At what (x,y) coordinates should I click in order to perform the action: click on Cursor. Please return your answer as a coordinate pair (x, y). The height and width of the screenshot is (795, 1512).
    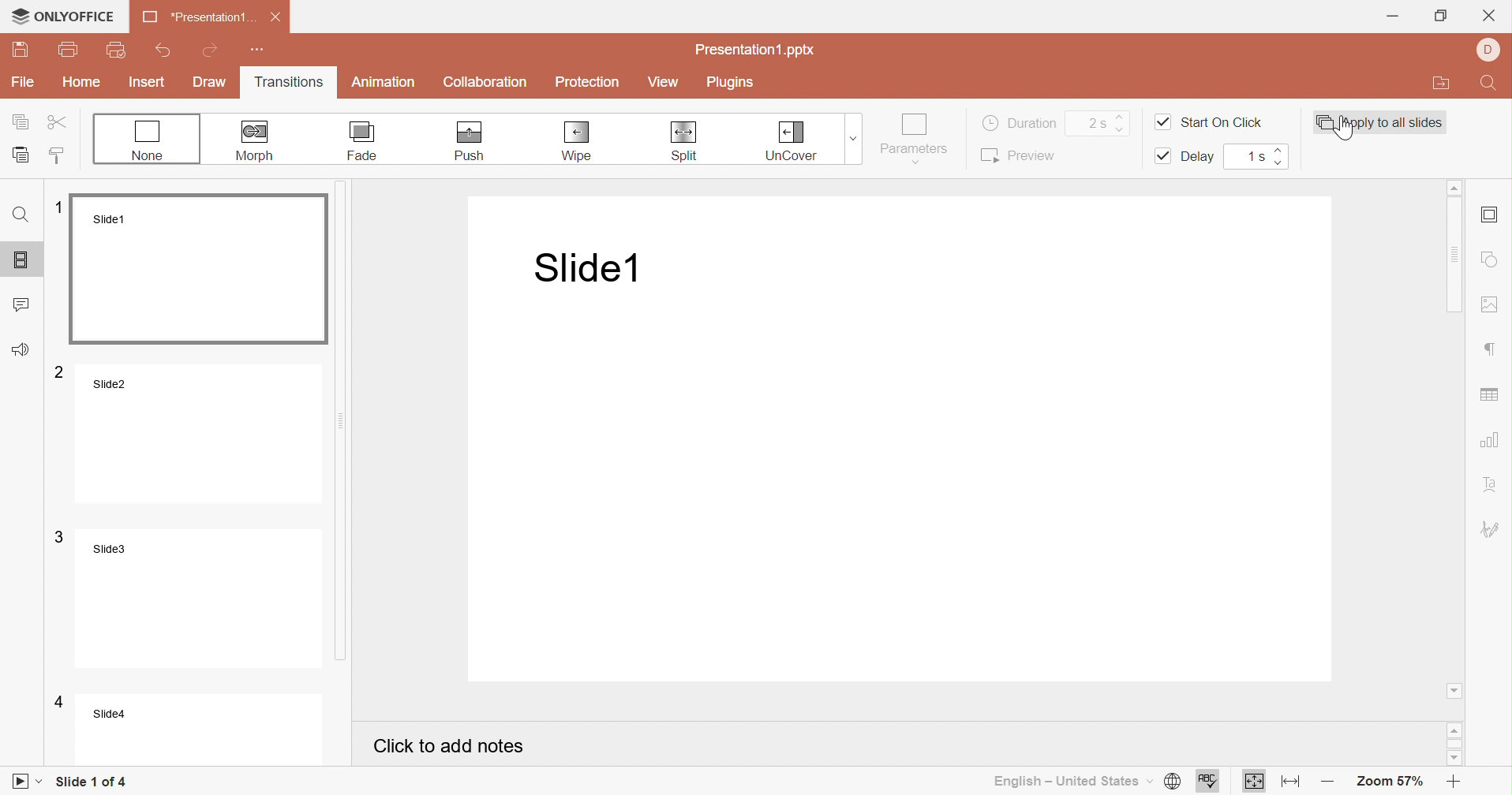
    Looking at the image, I should click on (1342, 124).